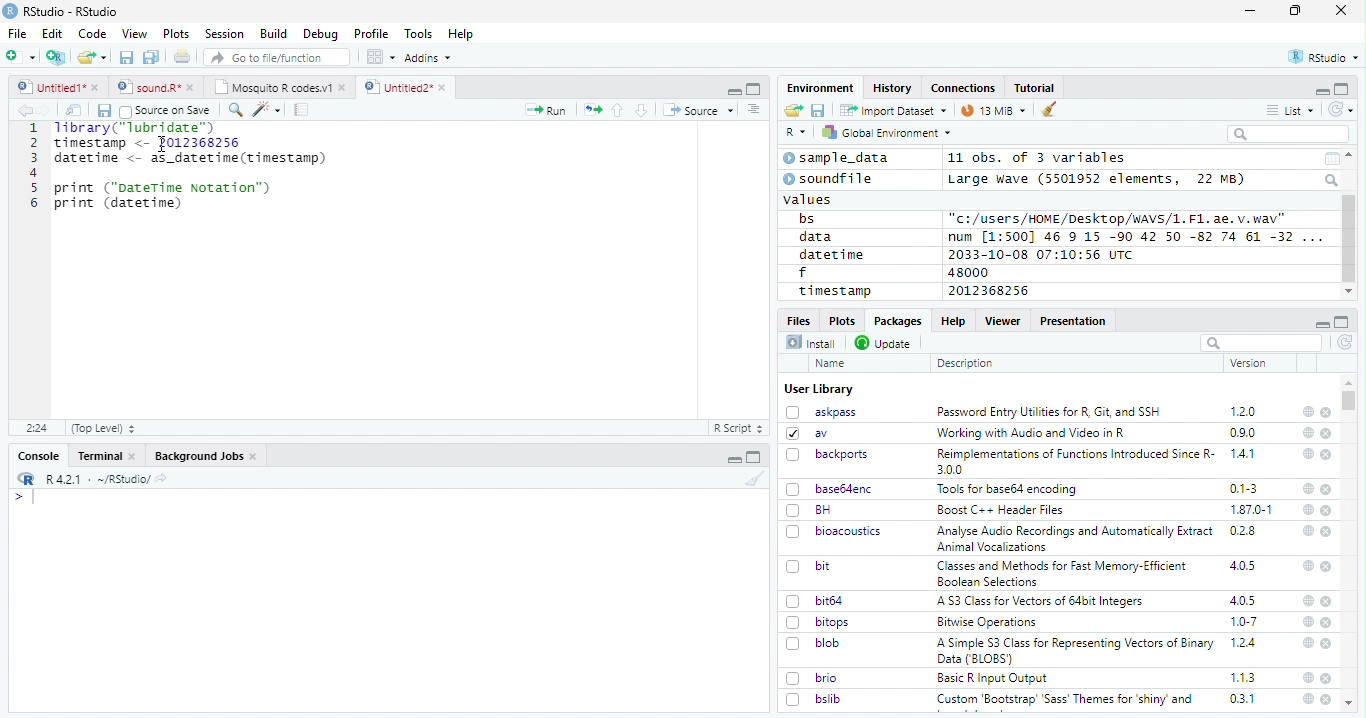 Image resolution: width=1366 pixels, height=718 pixels. I want to click on minimize, so click(1321, 90).